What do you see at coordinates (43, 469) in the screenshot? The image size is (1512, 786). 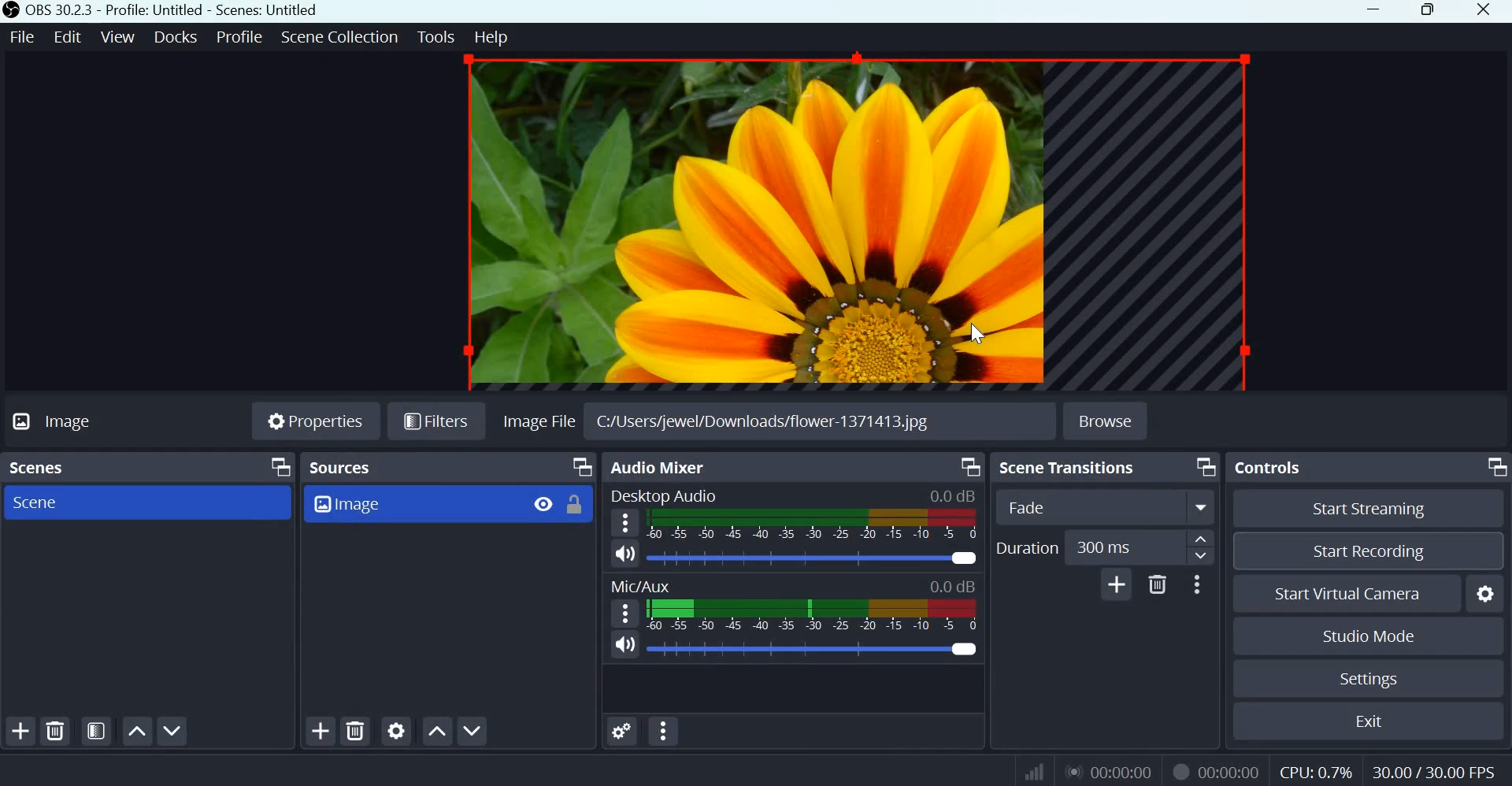 I see `Scenes` at bounding box center [43, 469].